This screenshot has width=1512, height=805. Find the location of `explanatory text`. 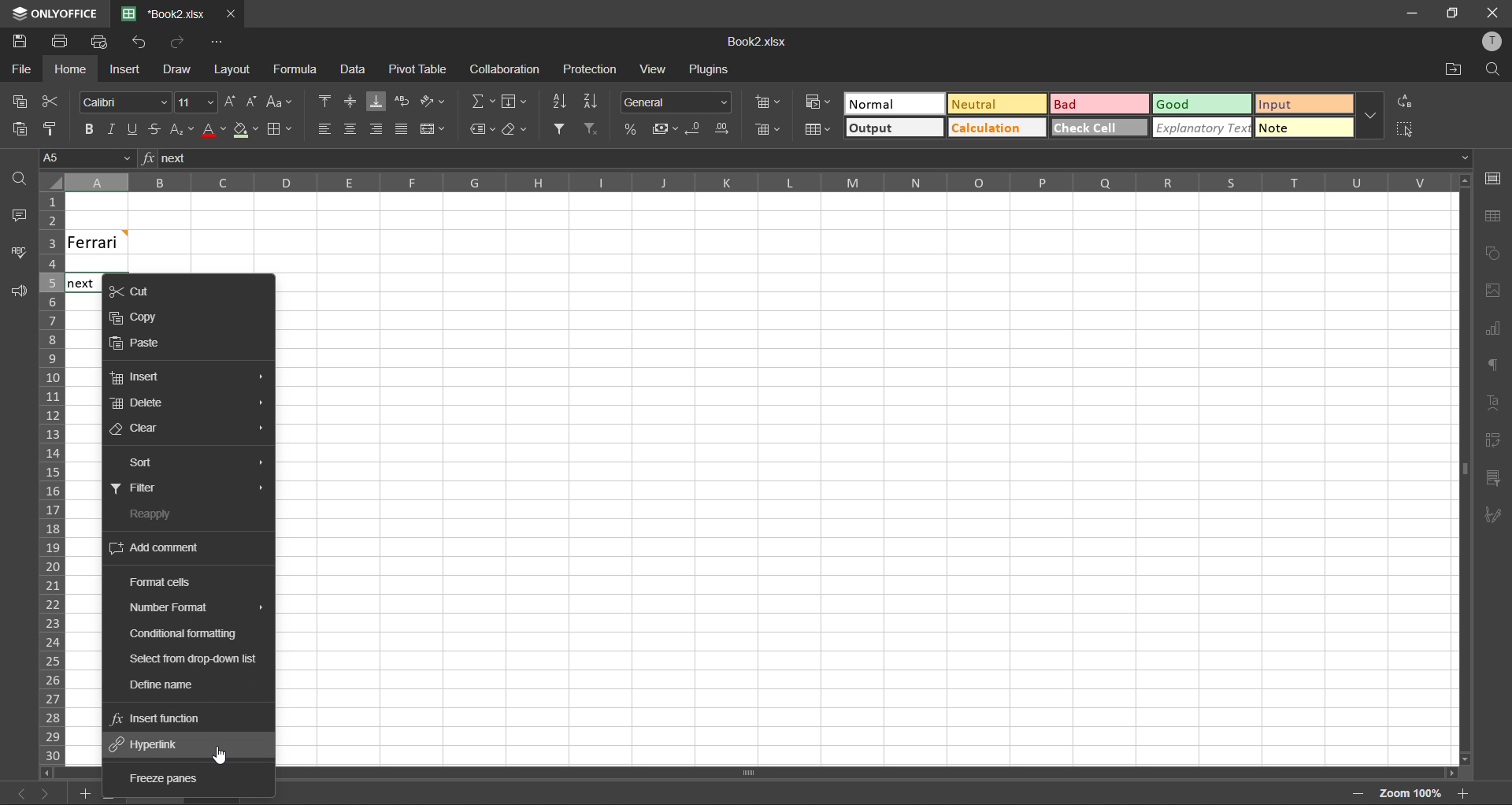

explanatory text is located at coordinates (1199, 129).